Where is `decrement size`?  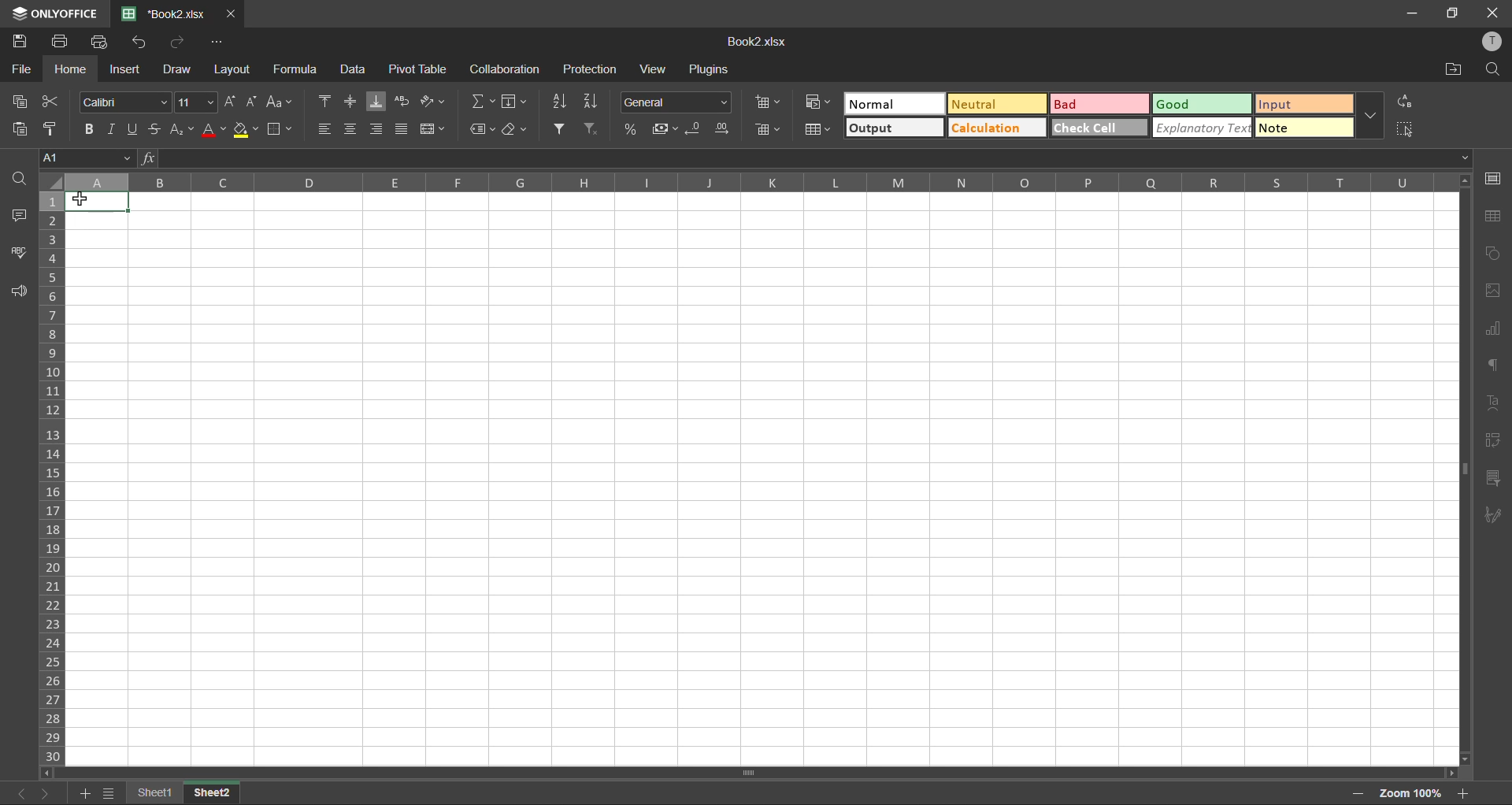
decrement size is located at coordinates (255, 103).